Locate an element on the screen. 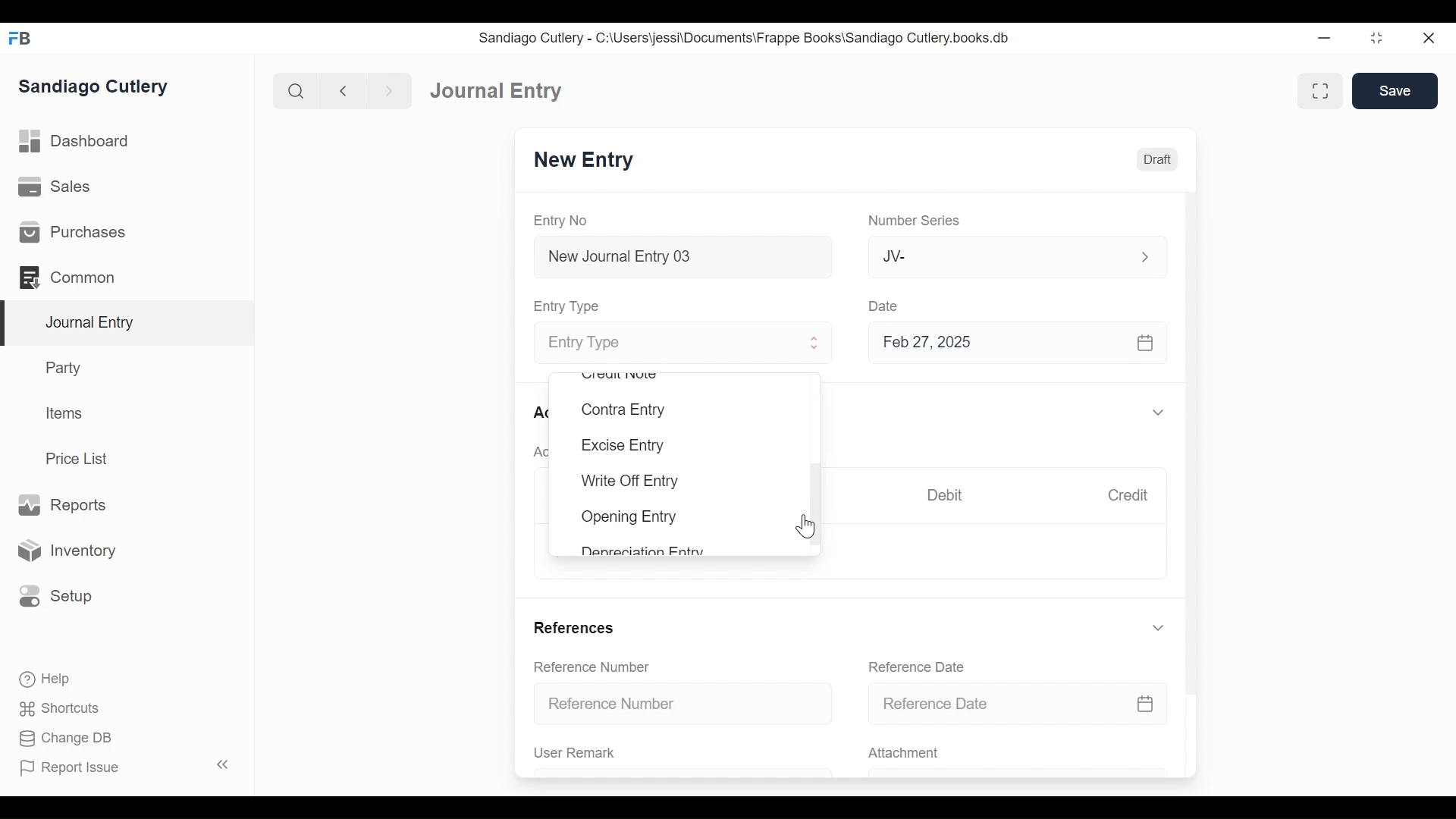 This screenshot has height=819, width=1456. Reference Date is located at coordinates (1029, 703).